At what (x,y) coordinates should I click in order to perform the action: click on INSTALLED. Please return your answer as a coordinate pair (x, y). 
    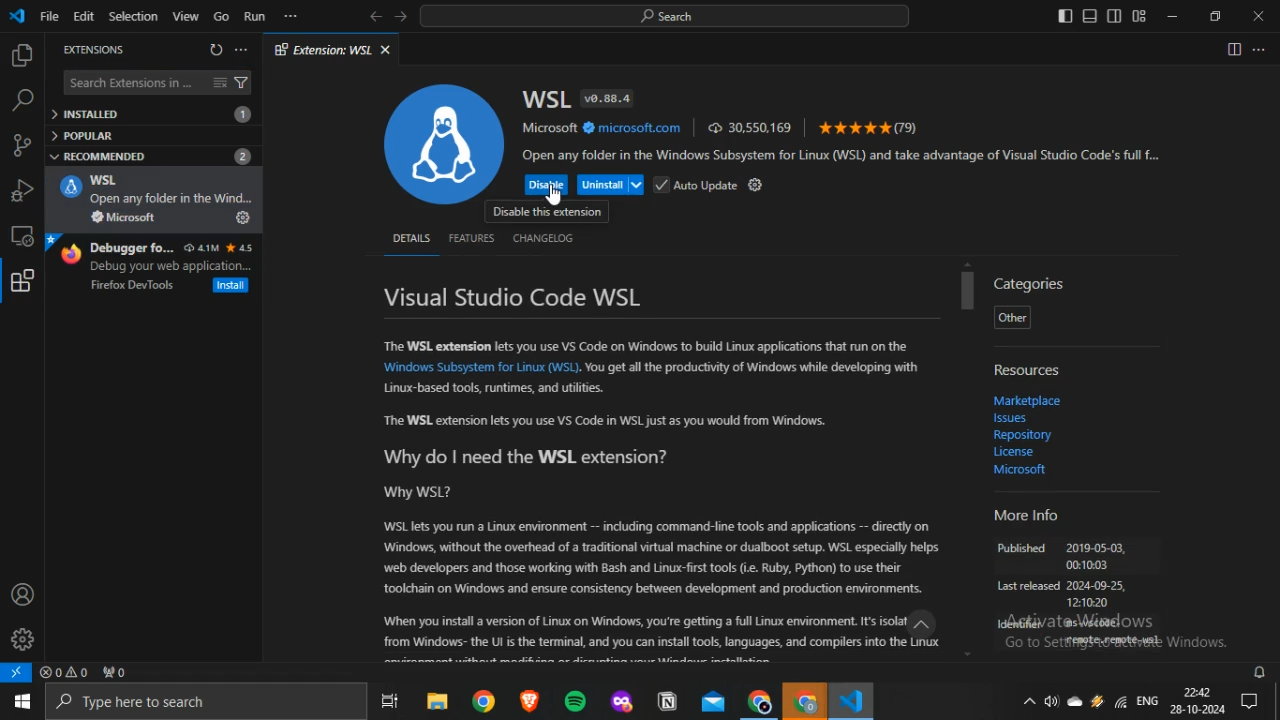
    Looking at the image, I should click on (151, 114).